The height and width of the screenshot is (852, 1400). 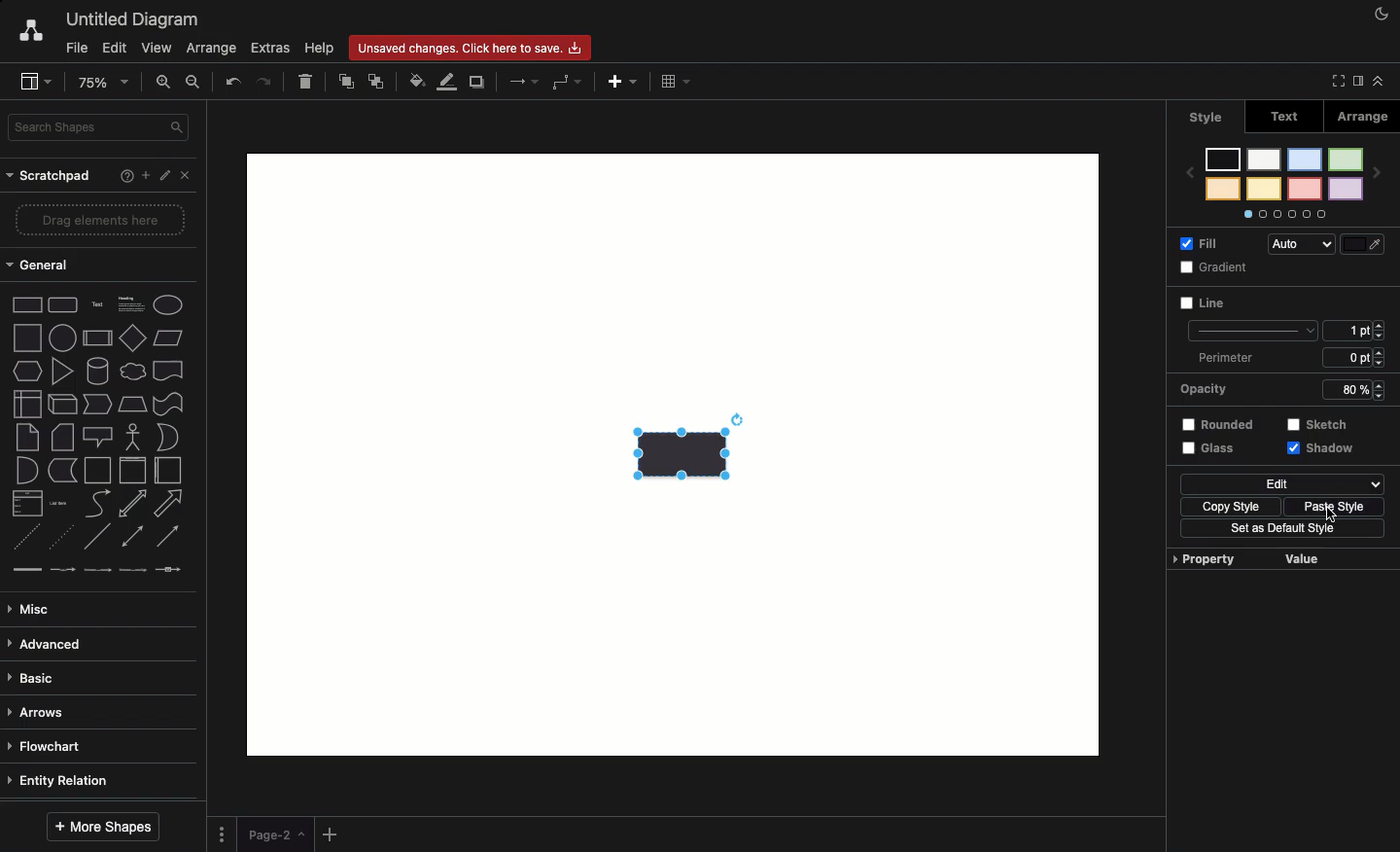 What do you see at coordinates (1250, 328) in the screenshot?
I see `line` at bounding box center [1250, 328].